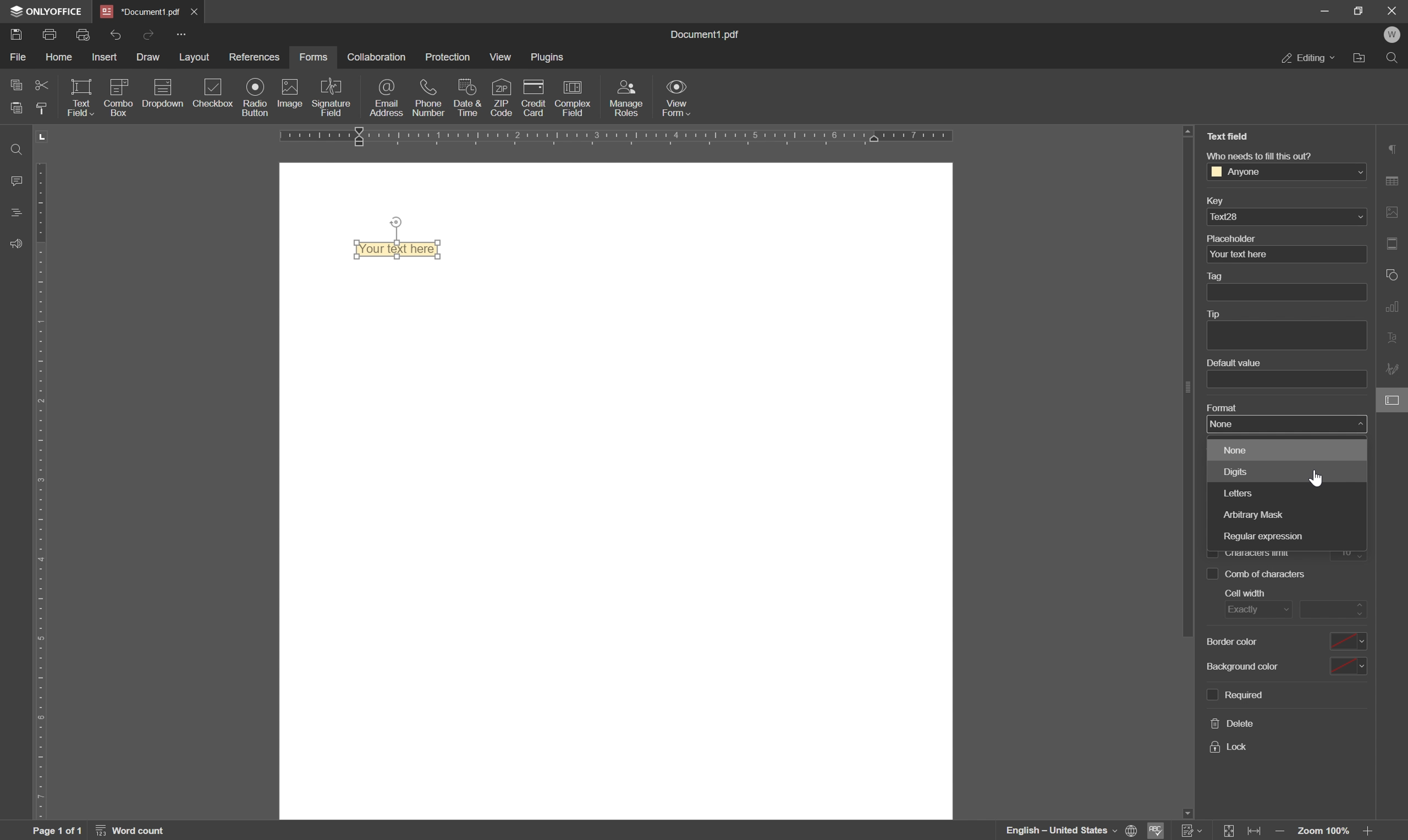 The image size is (1408, 840). I want to click on find, so click(1394, 58).